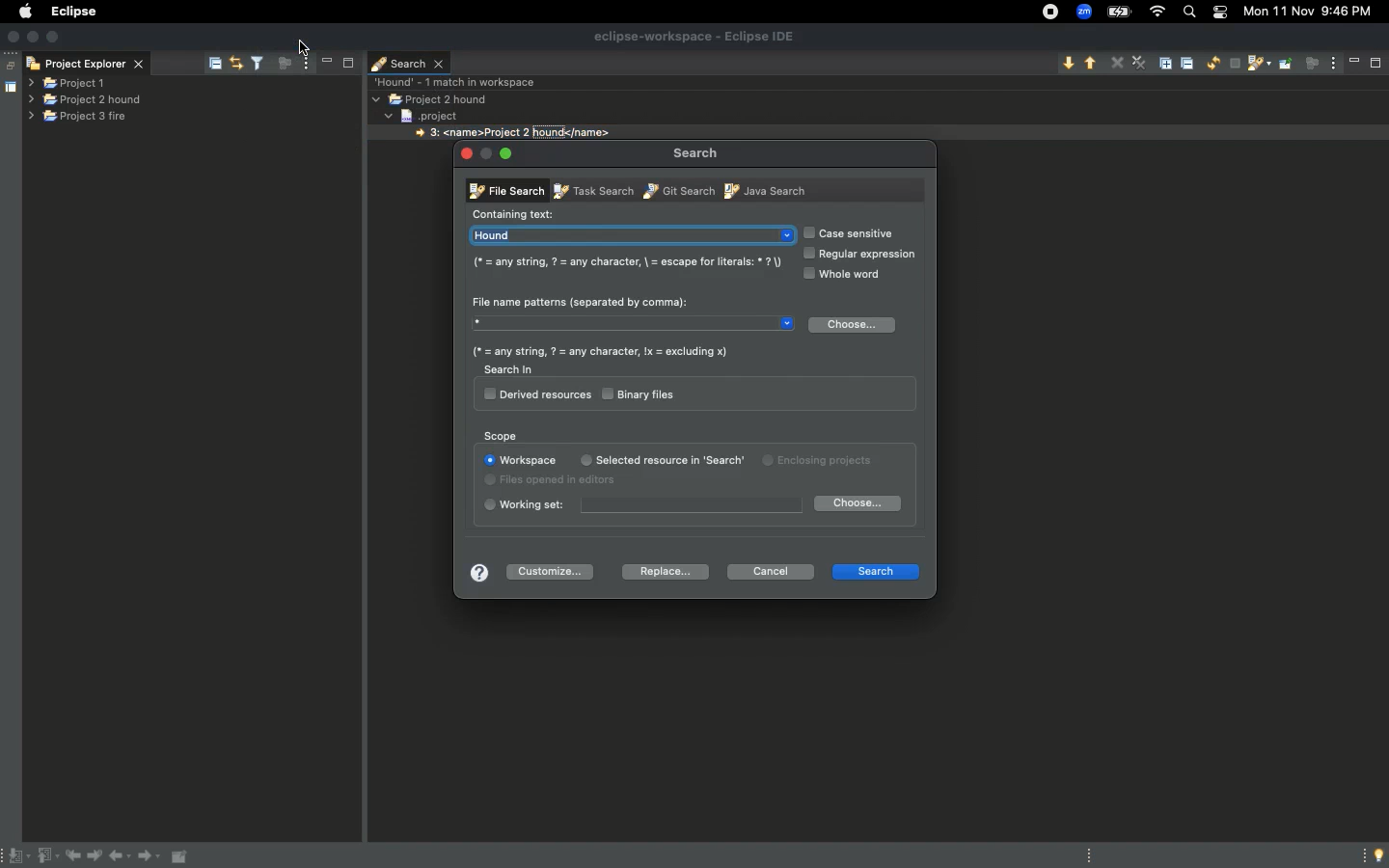 The width and height of the screenshot is (1389, 868). I want to click on Binary files, so click(641, 393).